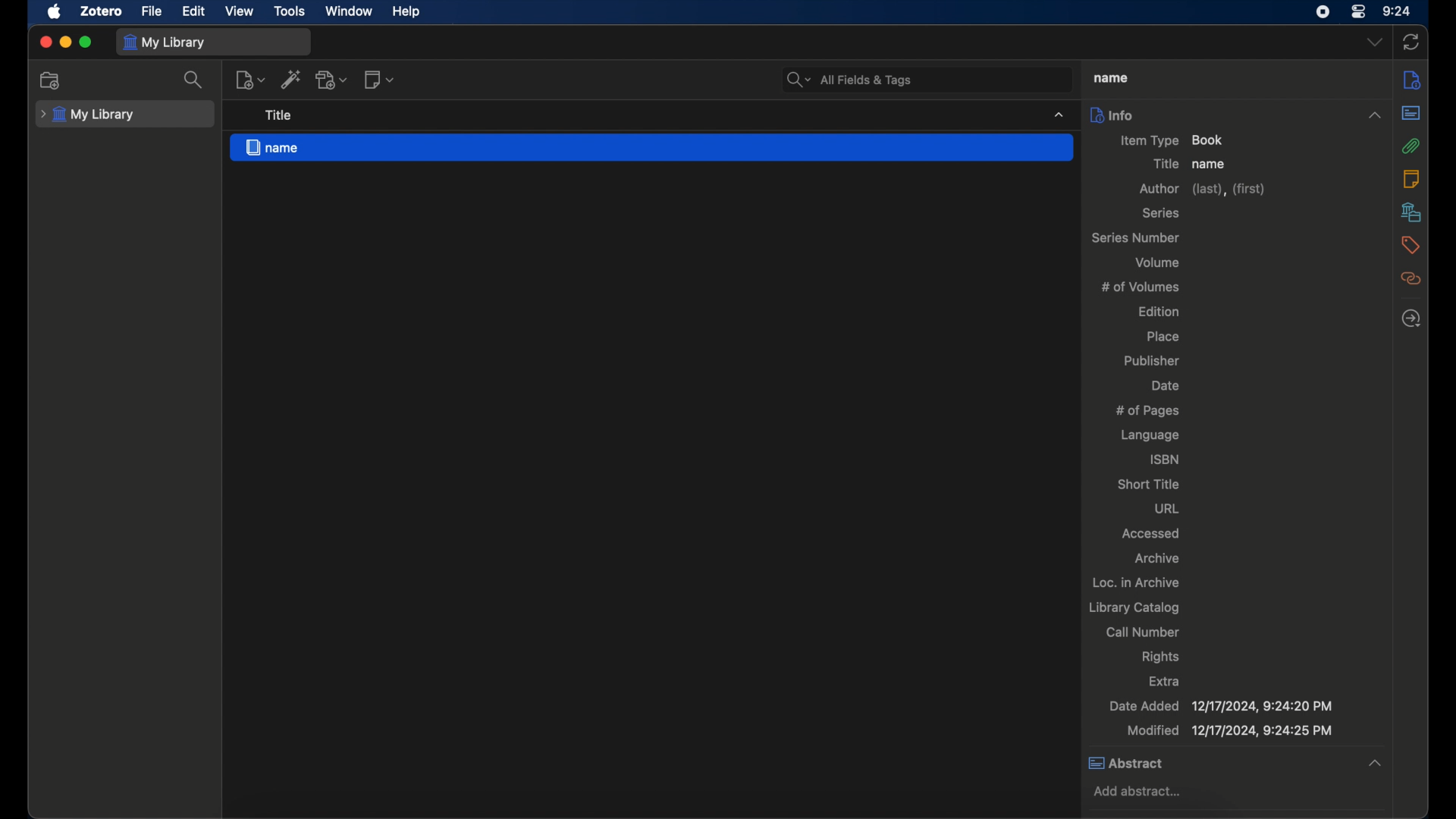  I want to click on modified, so click(1230, 732).